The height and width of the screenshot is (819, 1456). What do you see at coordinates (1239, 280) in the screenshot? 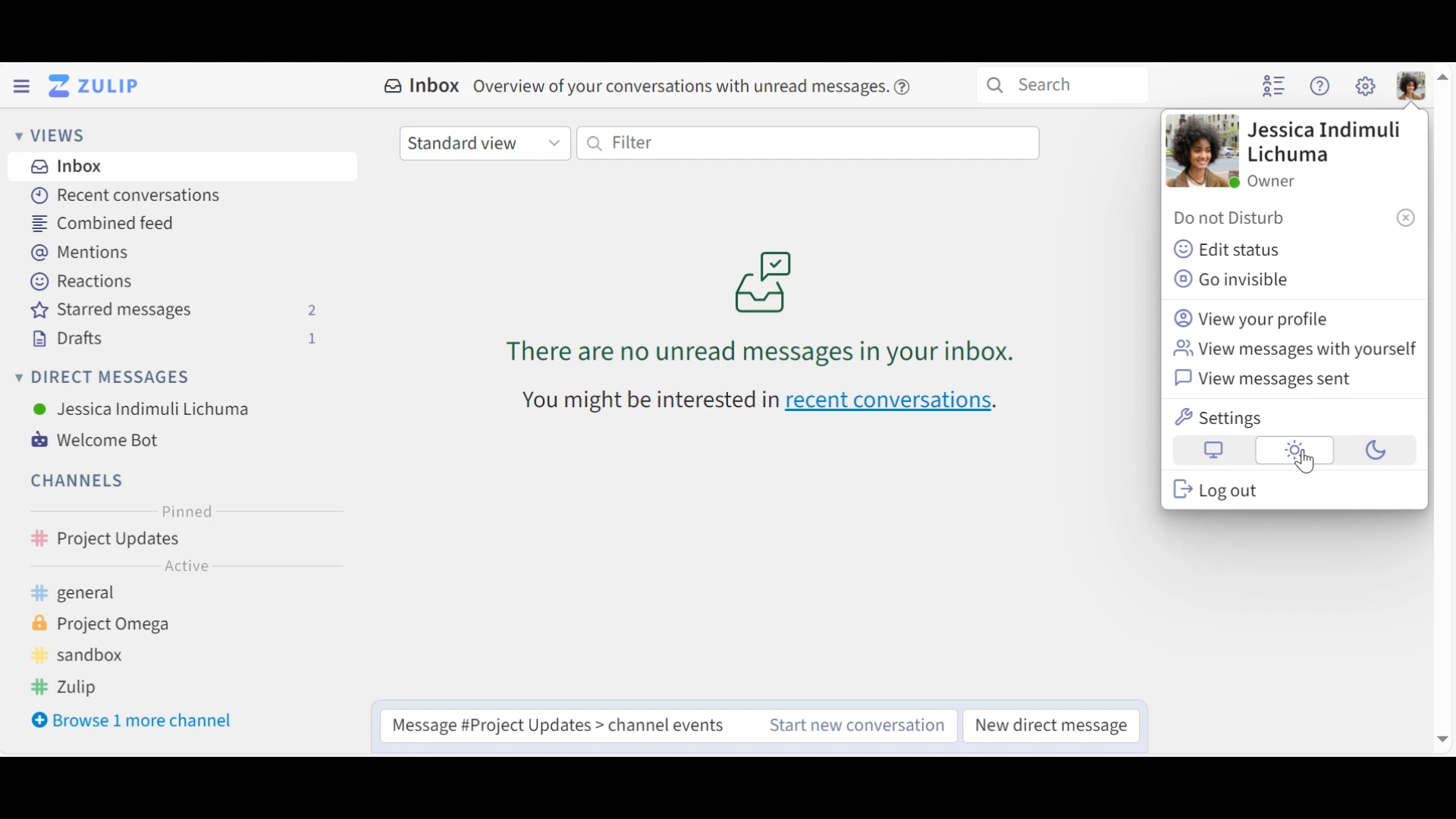
I see `Go invisible` at bounding box center [1239, 280].